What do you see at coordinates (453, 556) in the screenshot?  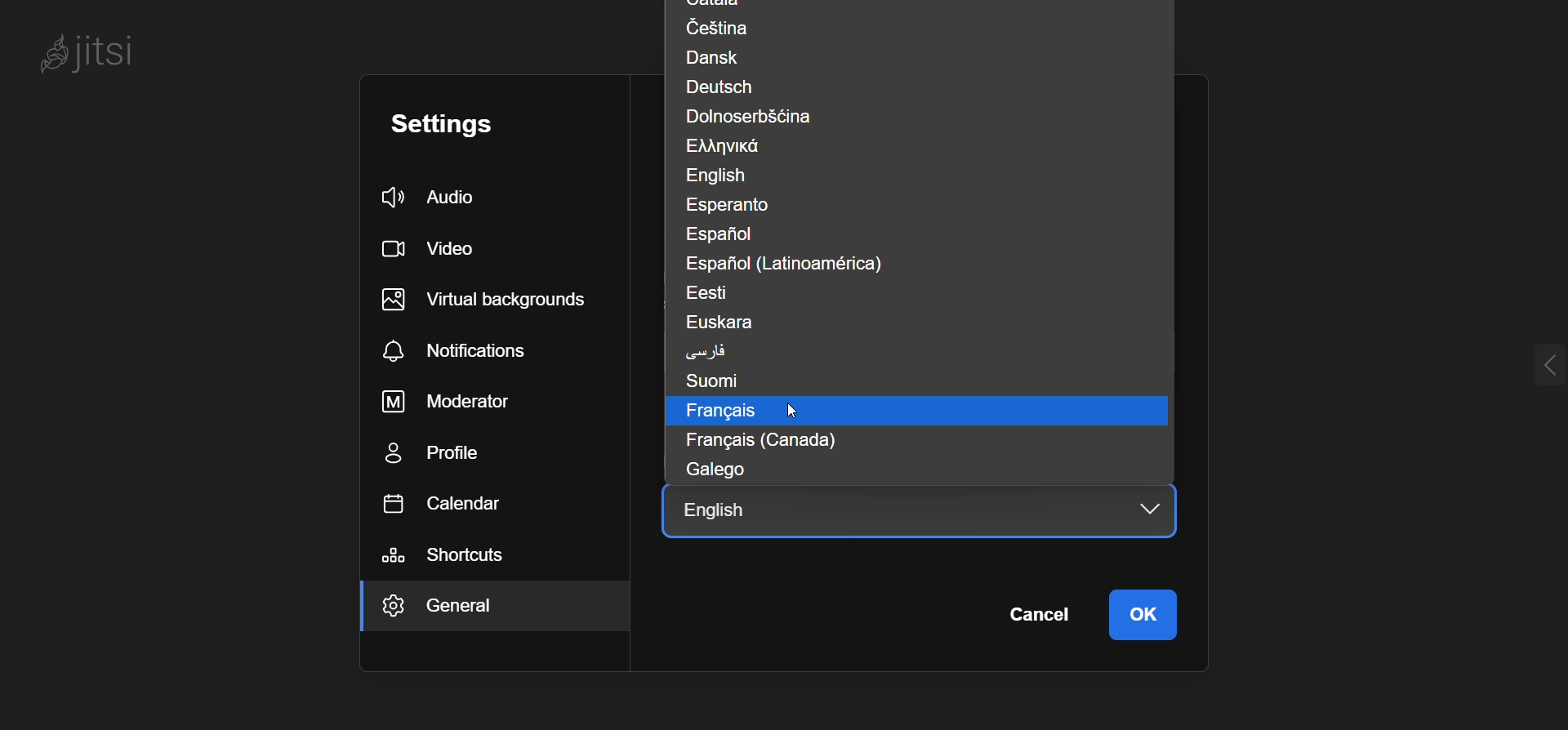 I see `shortcuts` at bounding box center [453, 556].